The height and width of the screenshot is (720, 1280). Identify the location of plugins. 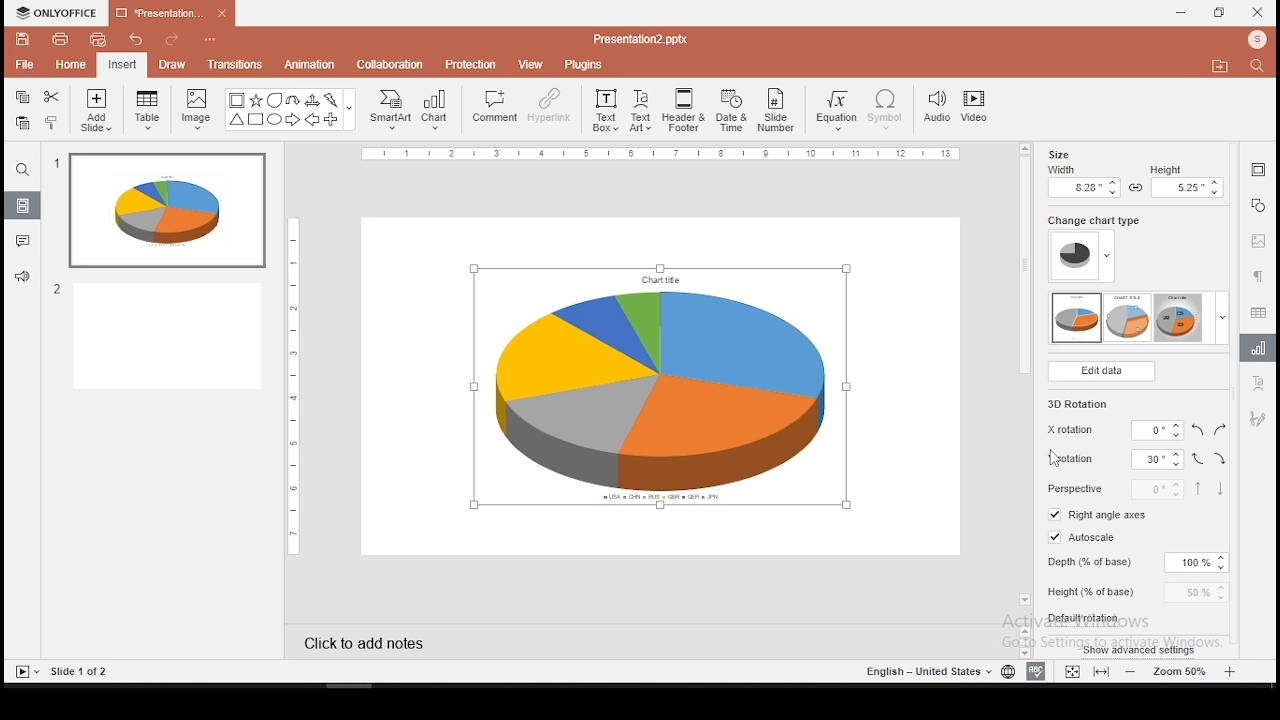
(582, 64).